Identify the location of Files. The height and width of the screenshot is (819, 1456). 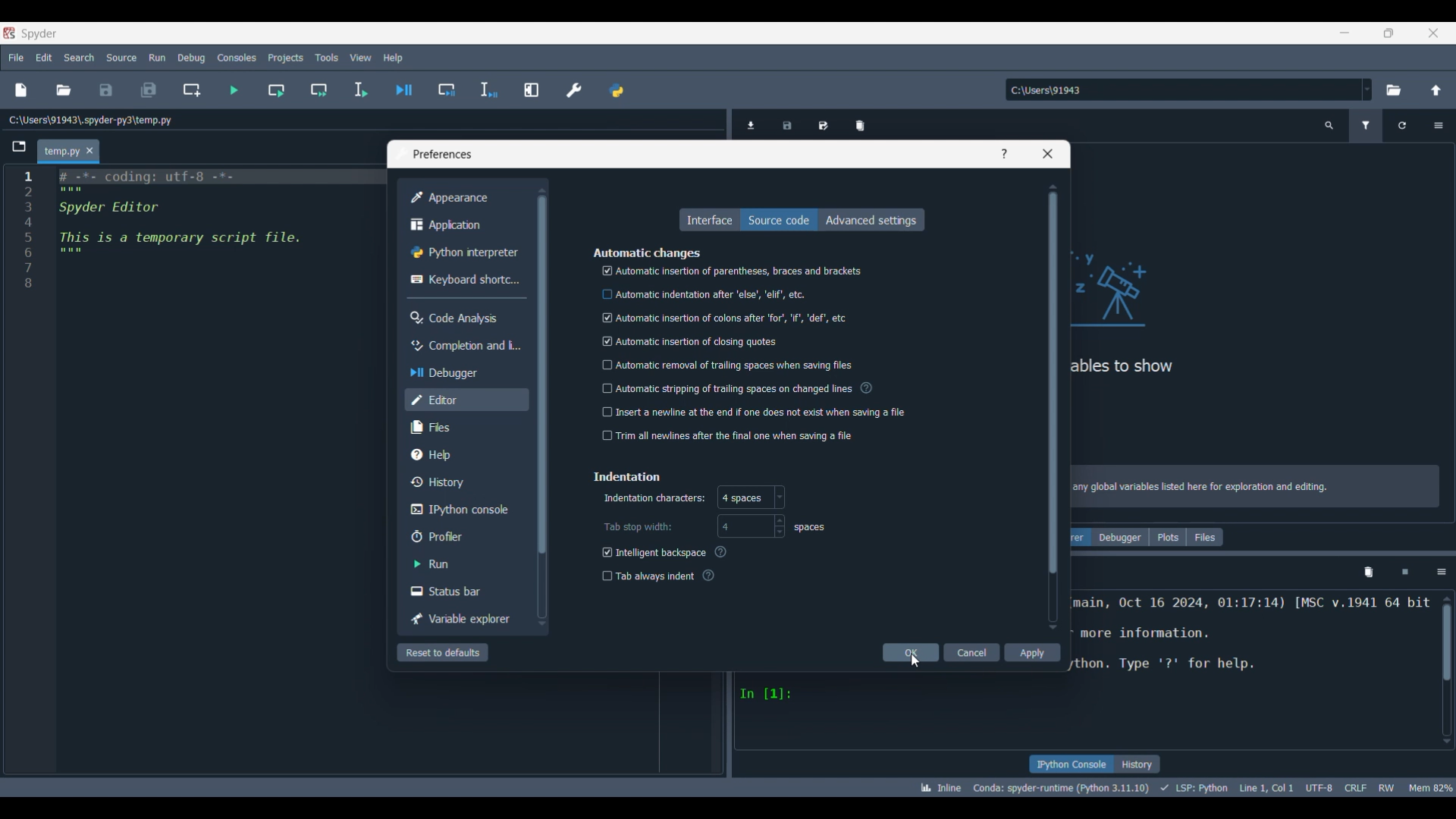
(1205, 537).